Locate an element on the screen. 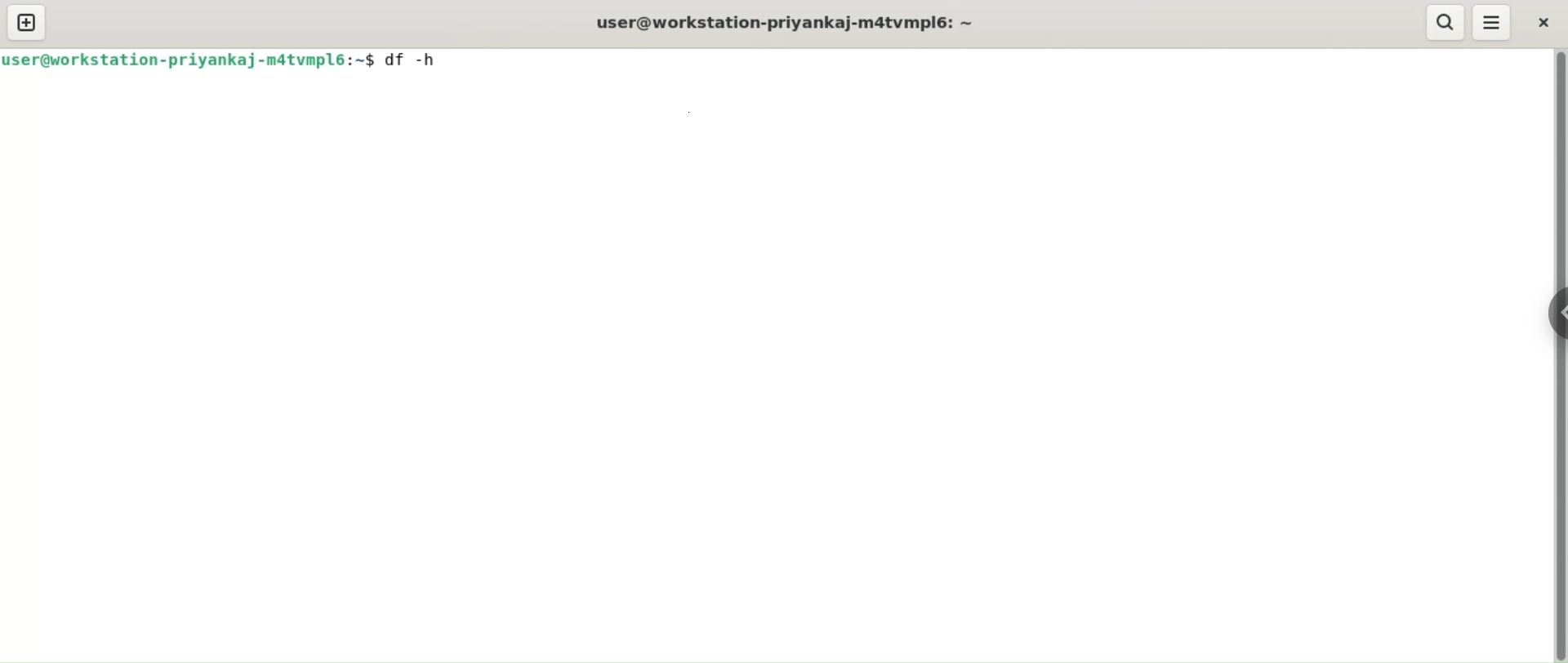 The image size is (1568, 663). menu is located at coordinates (1494, 22).